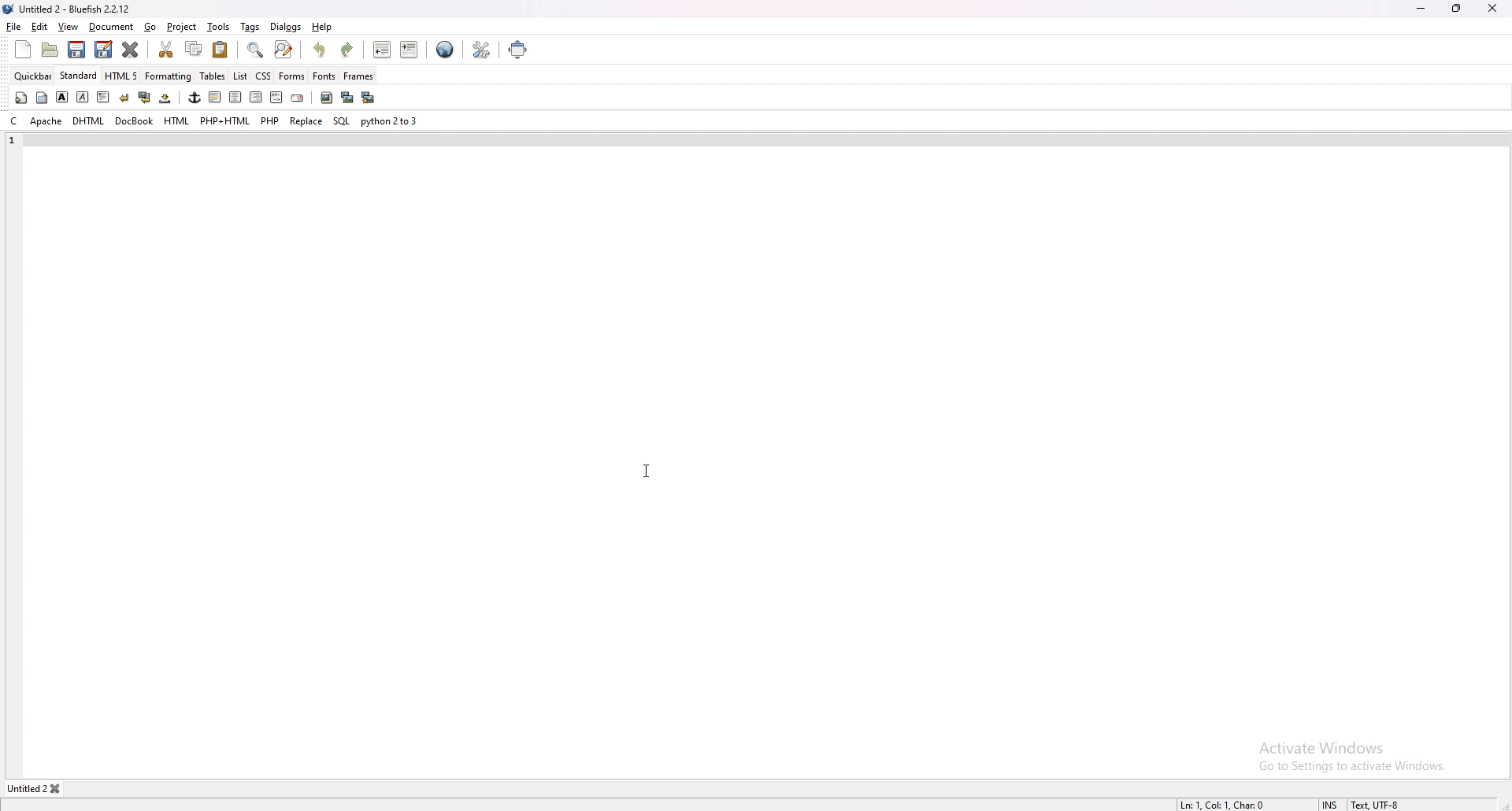 The height and width of the screenshot is (811, 1512). I want to click on email, so click(297, 98).